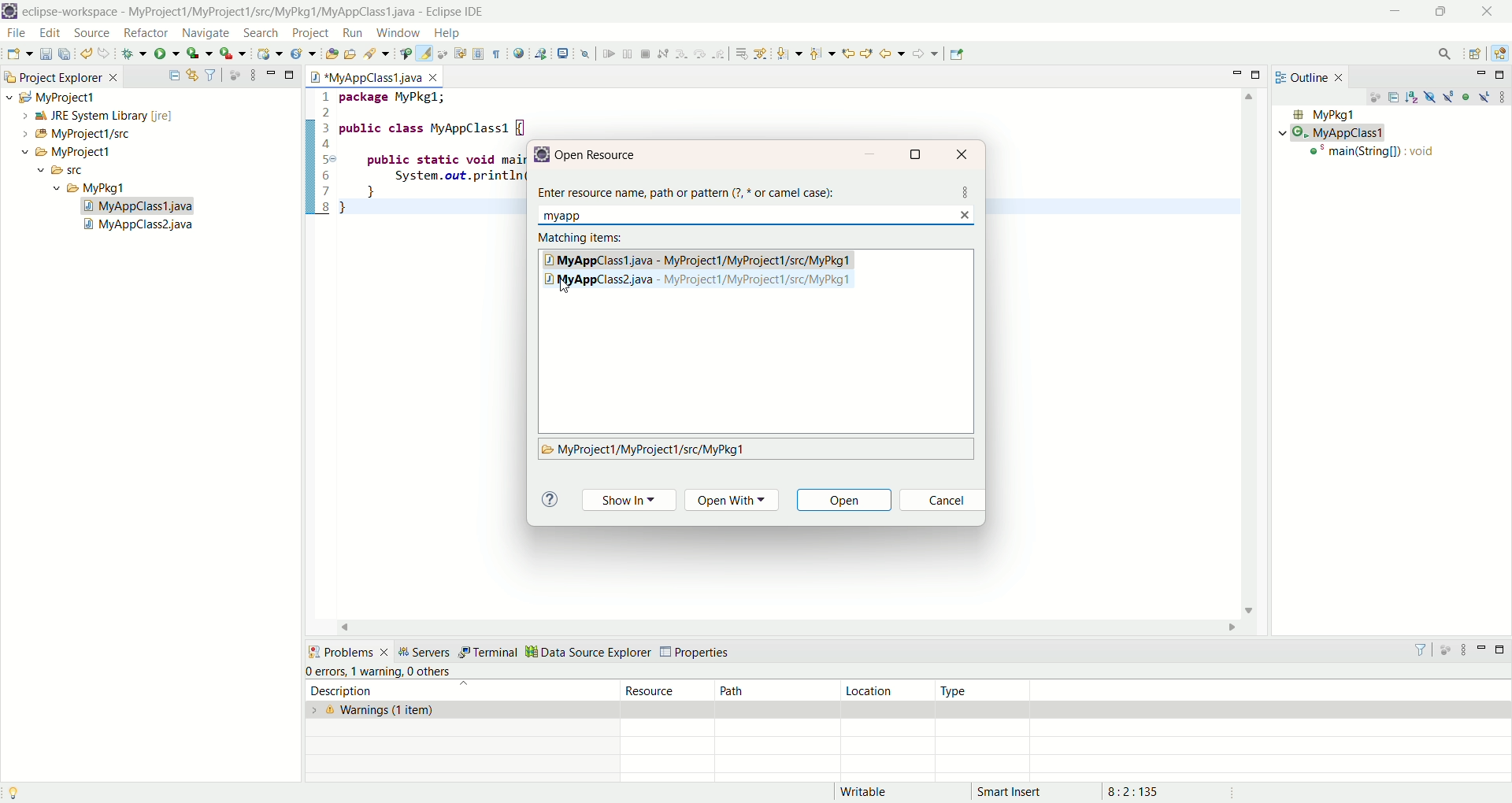 Image resolution: width=1512 pixels, height=803 pixels. What do you see at coordinates (1439, 13) in the screenshot?
I see `maximize` at bounding box center [1439, 13].